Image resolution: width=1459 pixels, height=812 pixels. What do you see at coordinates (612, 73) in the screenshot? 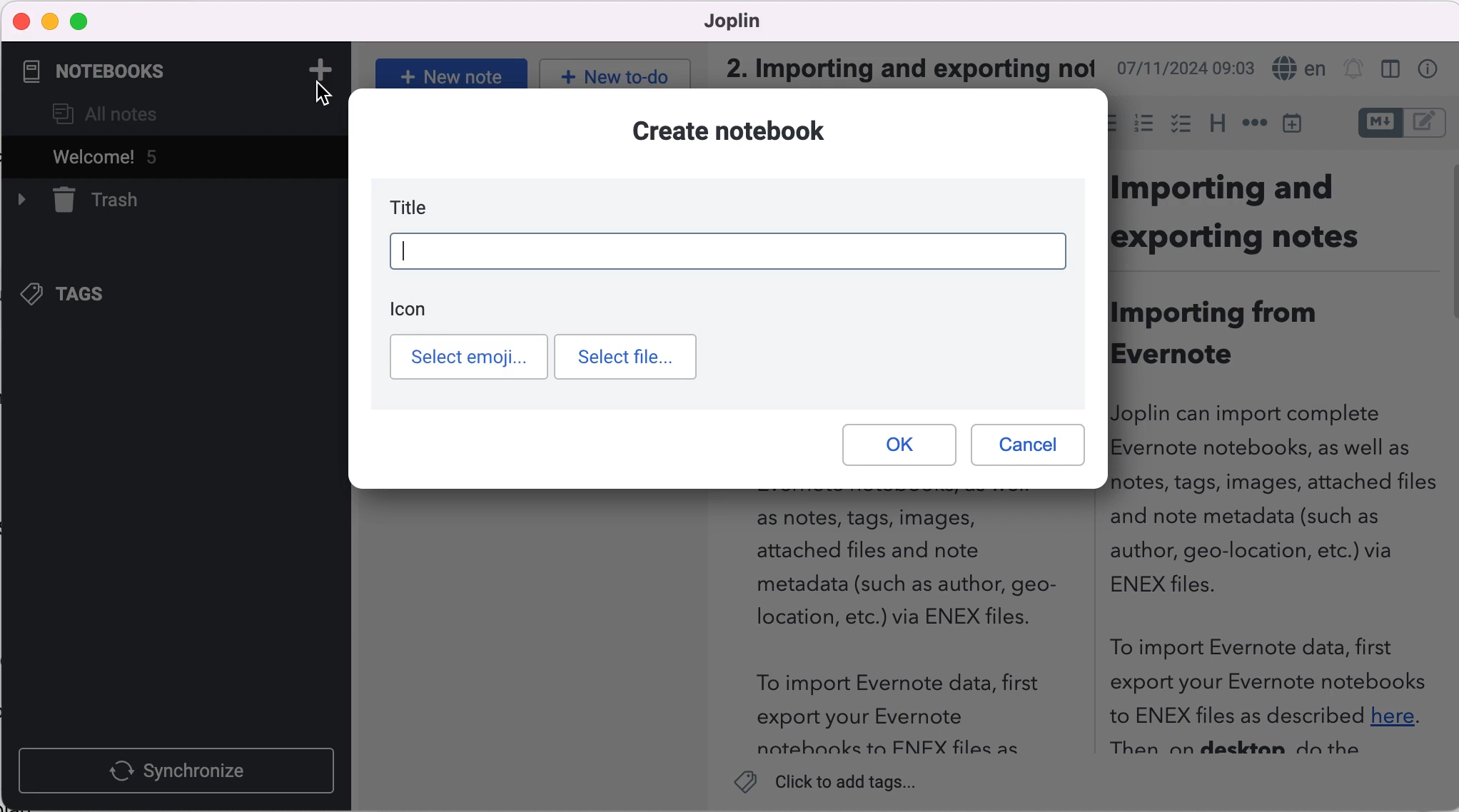
I see `New to do` at bounding box center [612, 73].